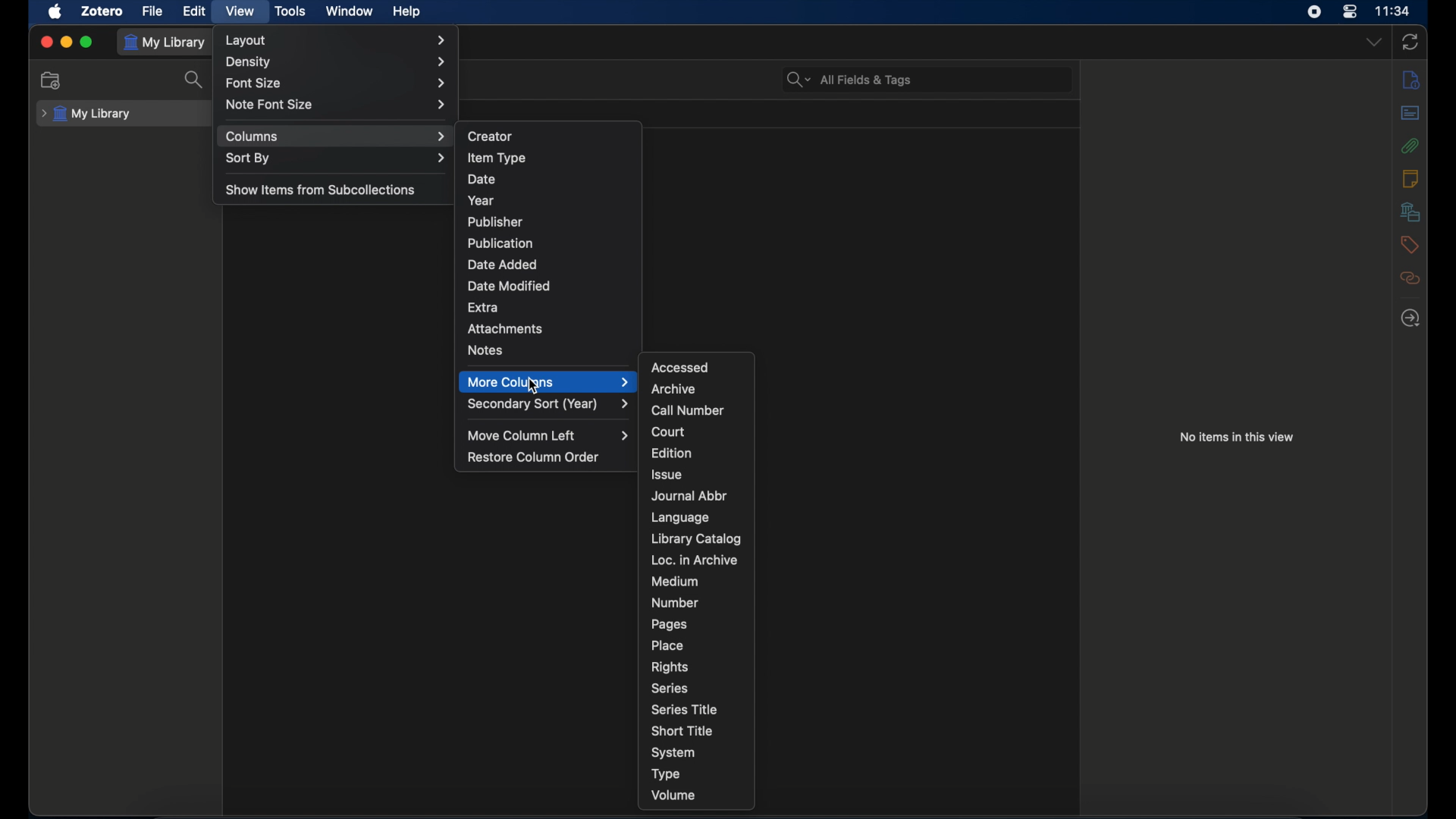 Image resolution: width=1456 pixels, height=819 pixels. Describe the element at coordinates (667, 774) in the screenshot. I see `type` at that location.